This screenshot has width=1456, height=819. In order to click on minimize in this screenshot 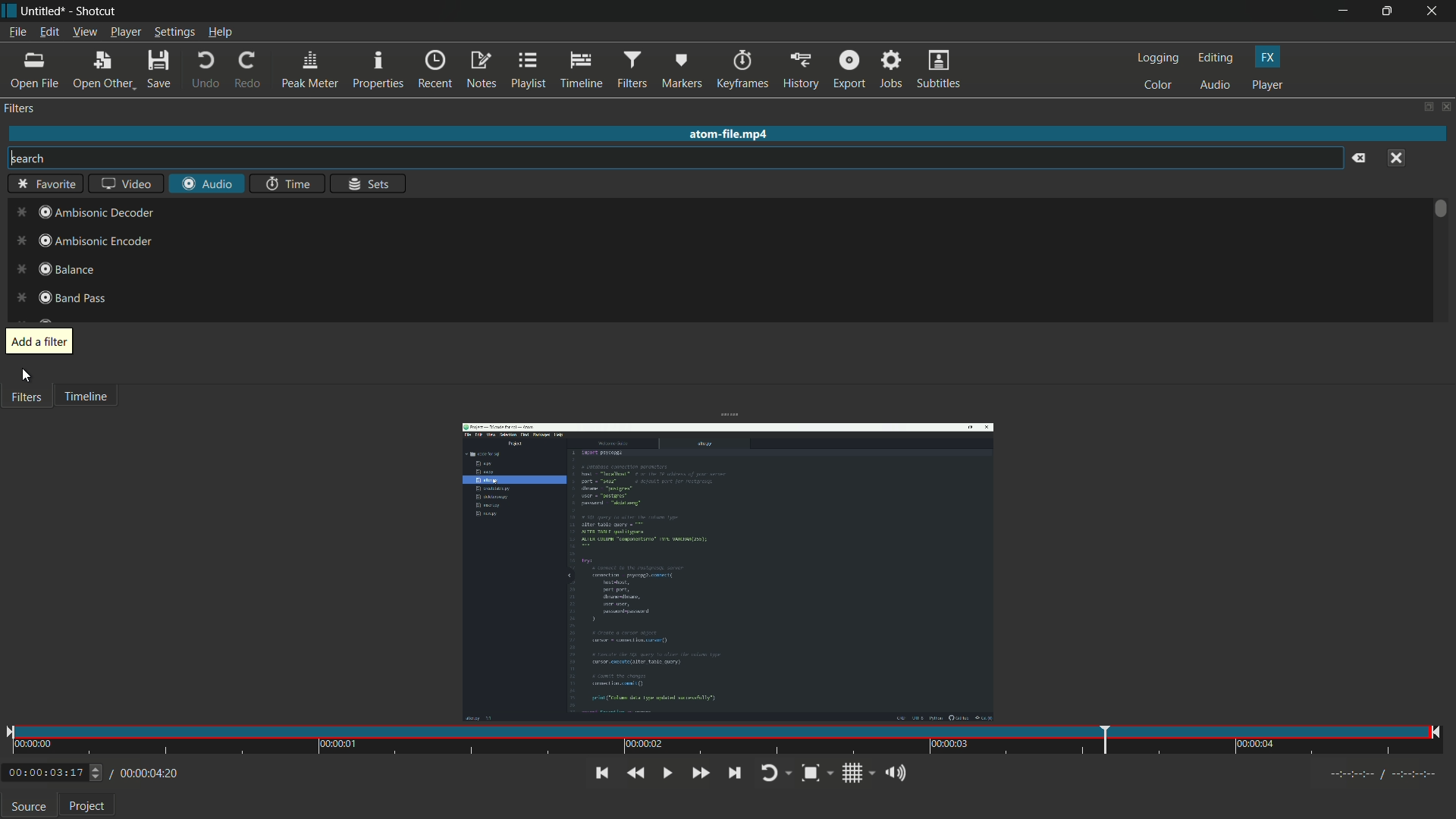, I will do `click(1343, 11)`.